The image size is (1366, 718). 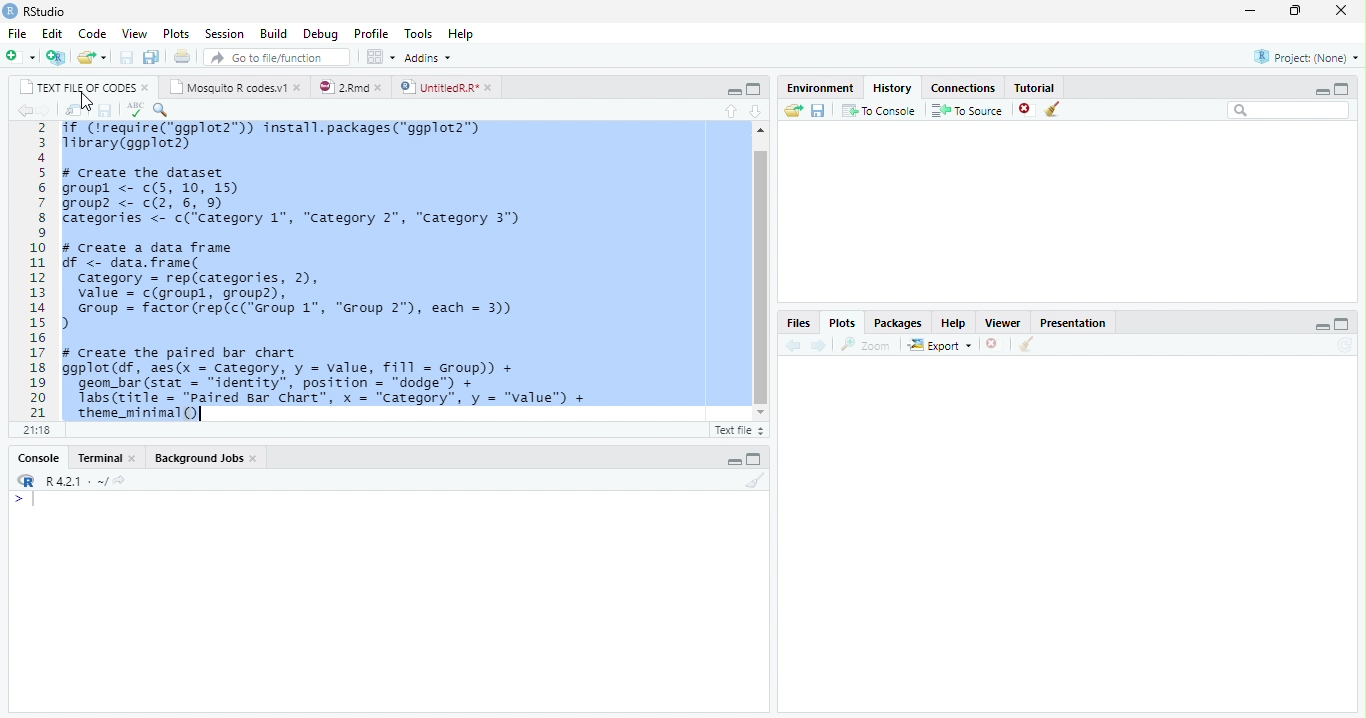 I want to click on clean, so click(x=1056, y=111).